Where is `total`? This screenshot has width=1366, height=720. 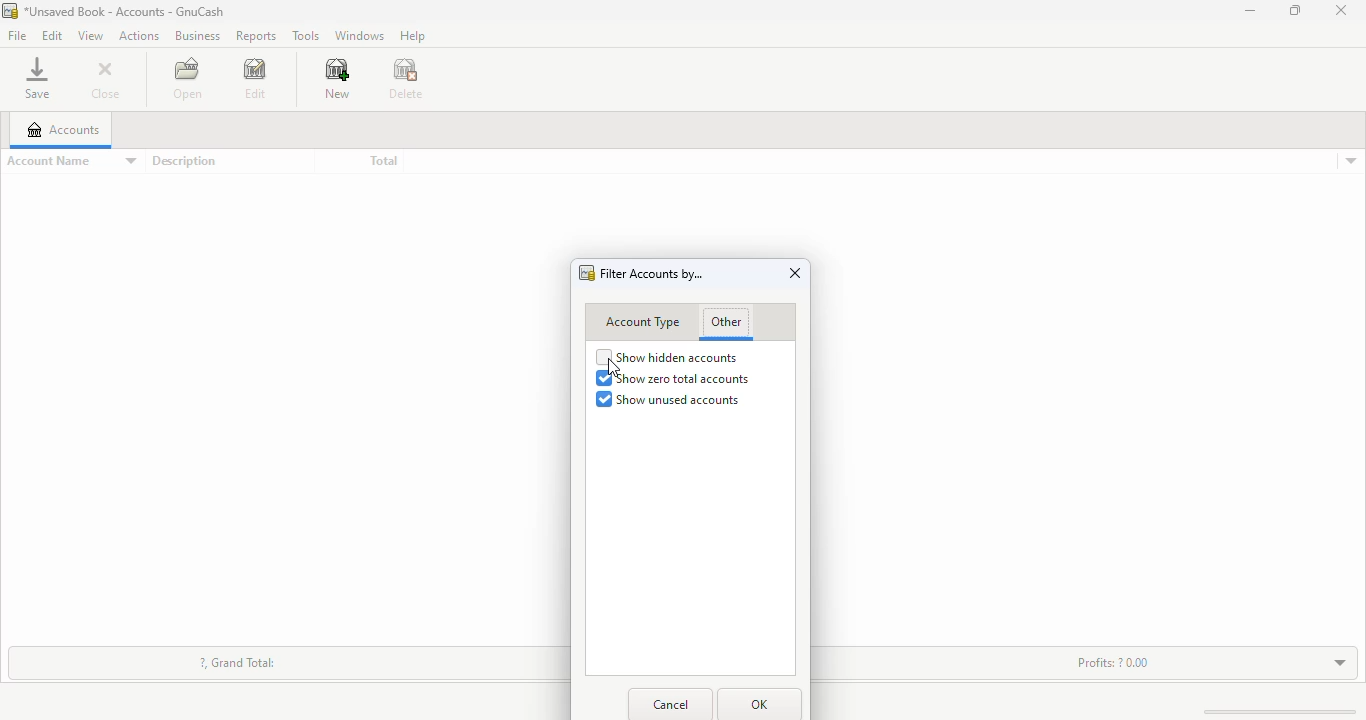
total is located at coordinates (383, 161).